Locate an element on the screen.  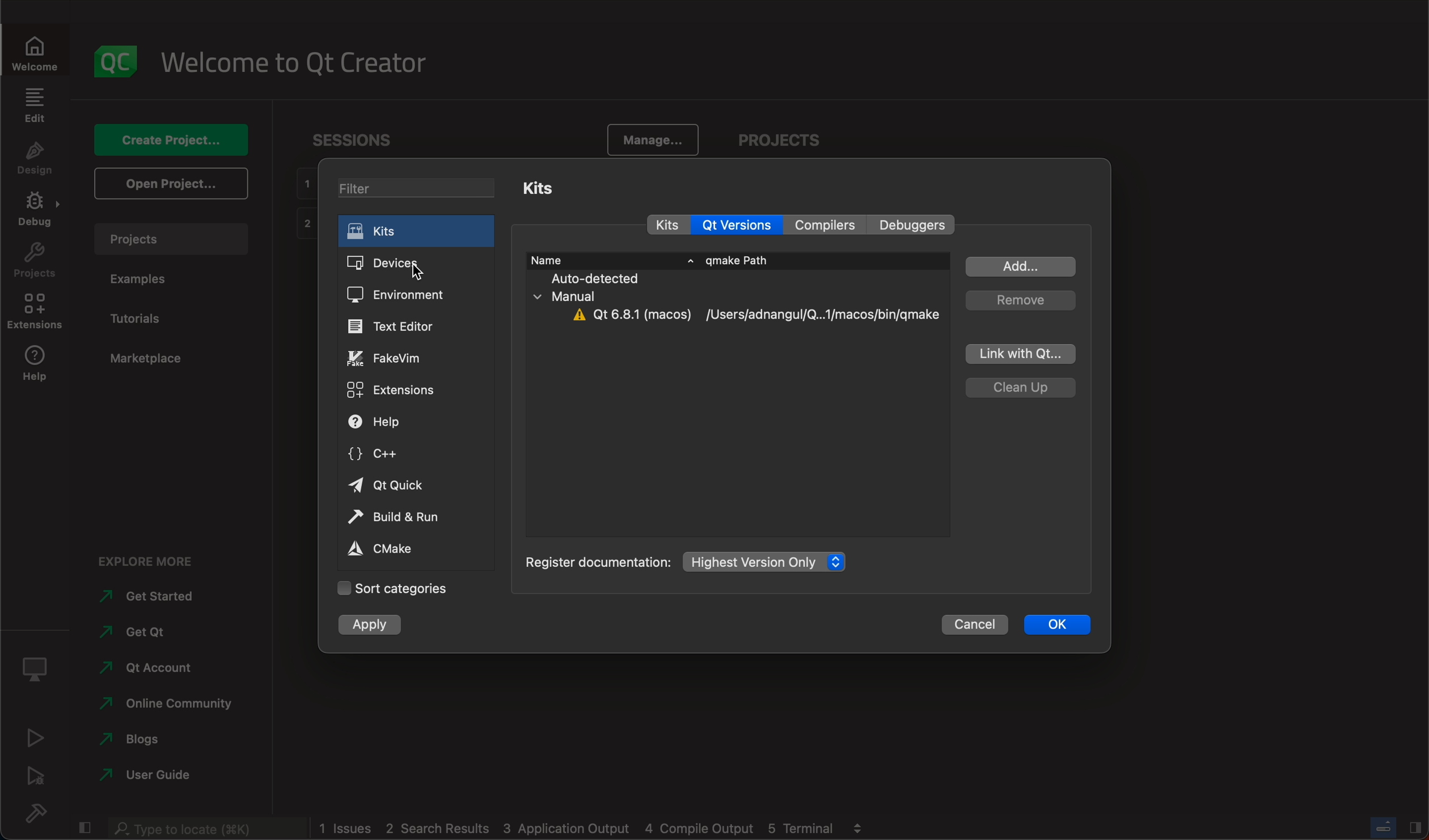
create project is located at coordinates (176, 139).